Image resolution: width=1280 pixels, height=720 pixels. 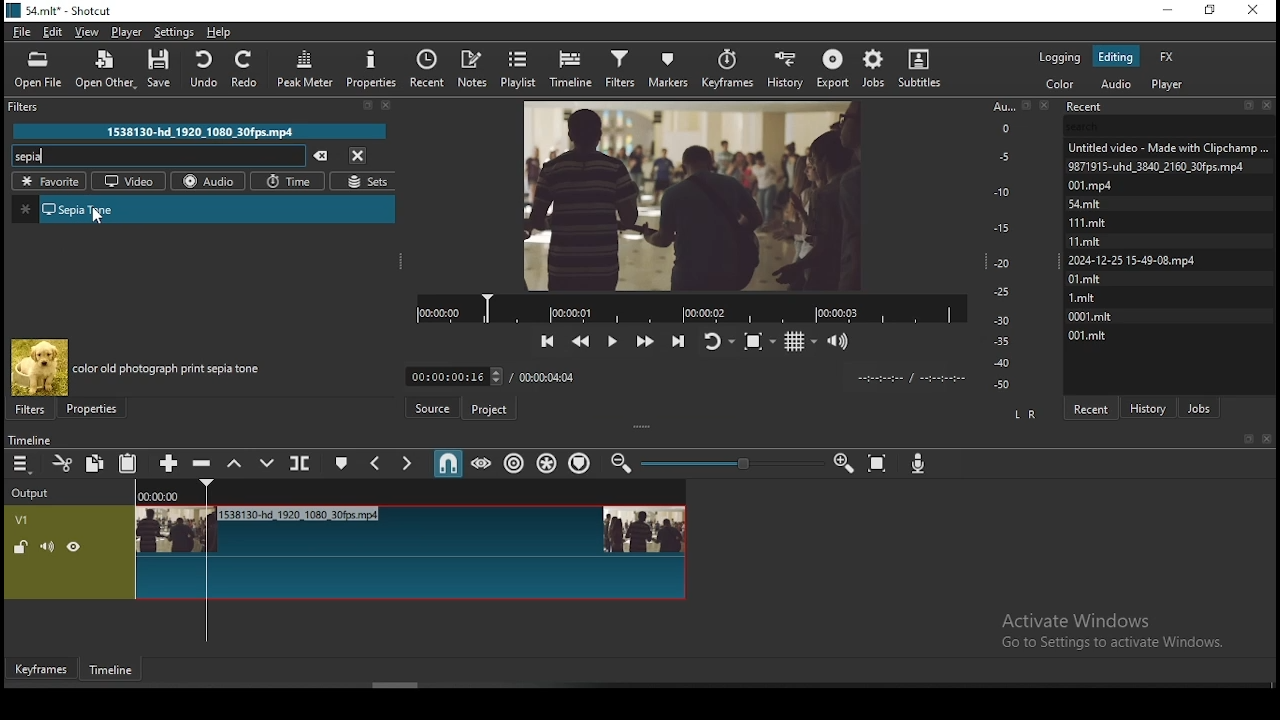 What do you see at coordinates (65, 463) in the screenshot?
I see `cut` at bounding box center [65, 463].